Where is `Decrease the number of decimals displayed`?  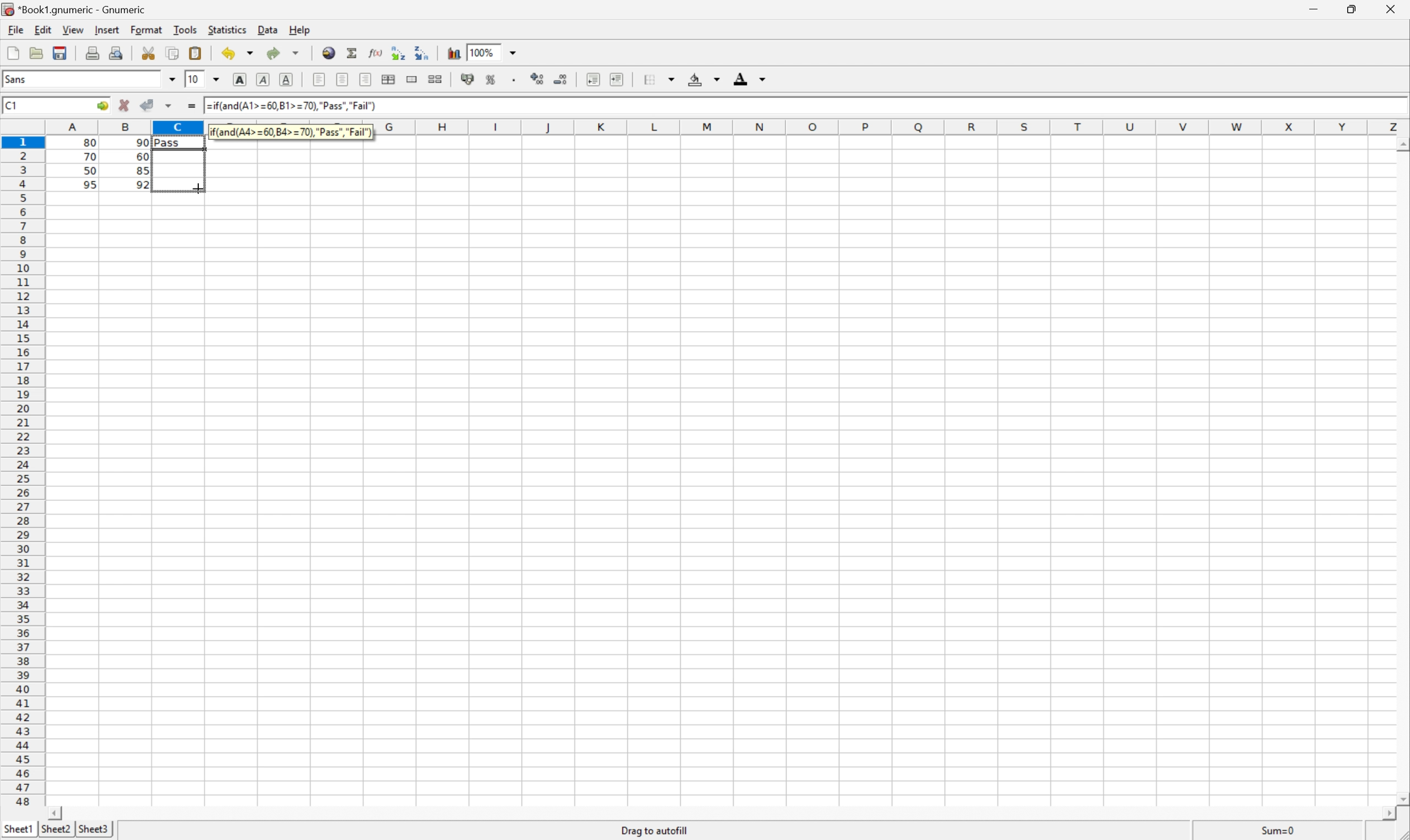 Decrease the number of decimals displayed is located at coordinates (563, 79).